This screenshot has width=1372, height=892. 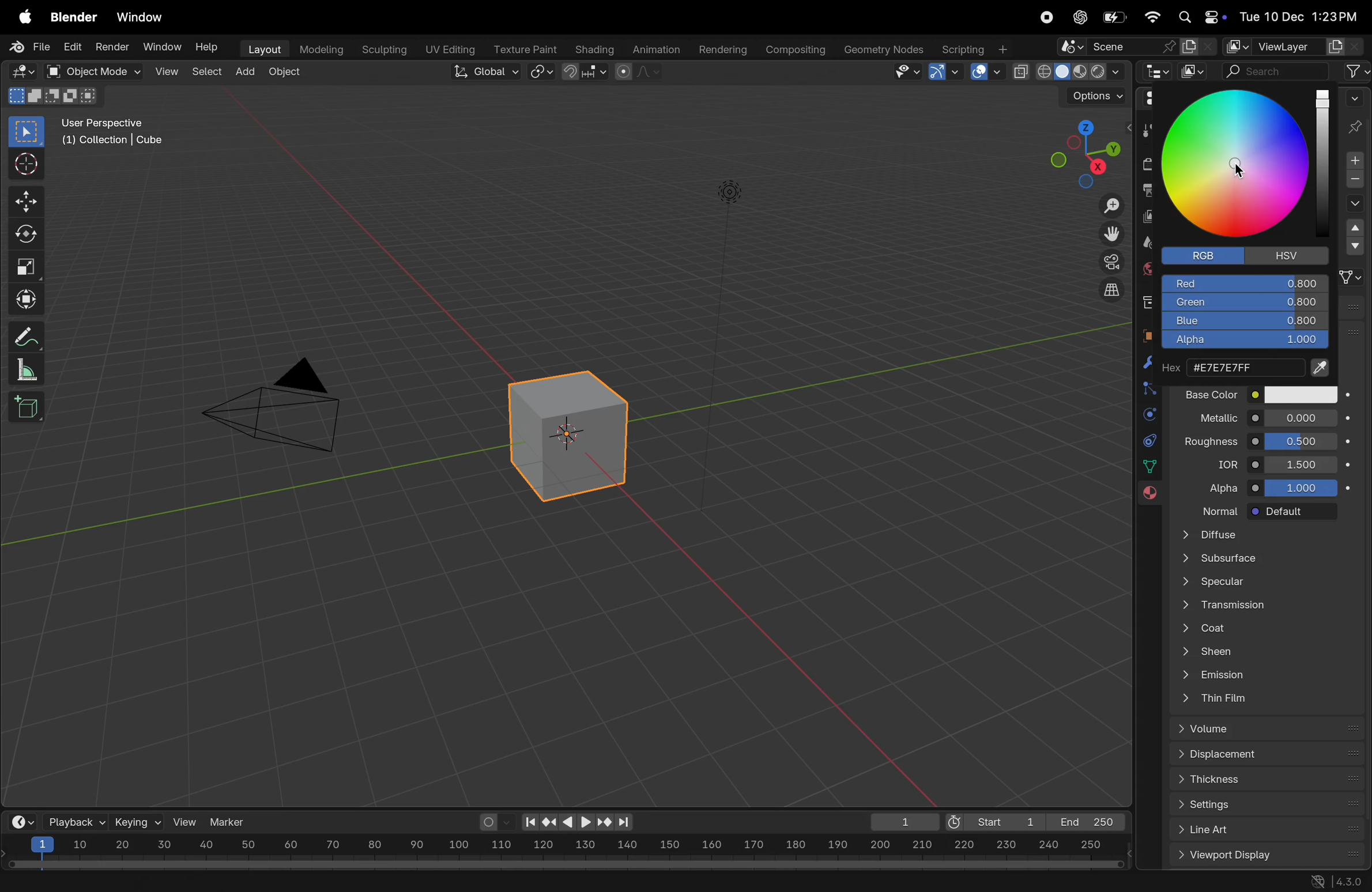 What do you see at coordinates (523, 46) in the screenshot?
I see `texture paint` at bounding box center [523, 46].